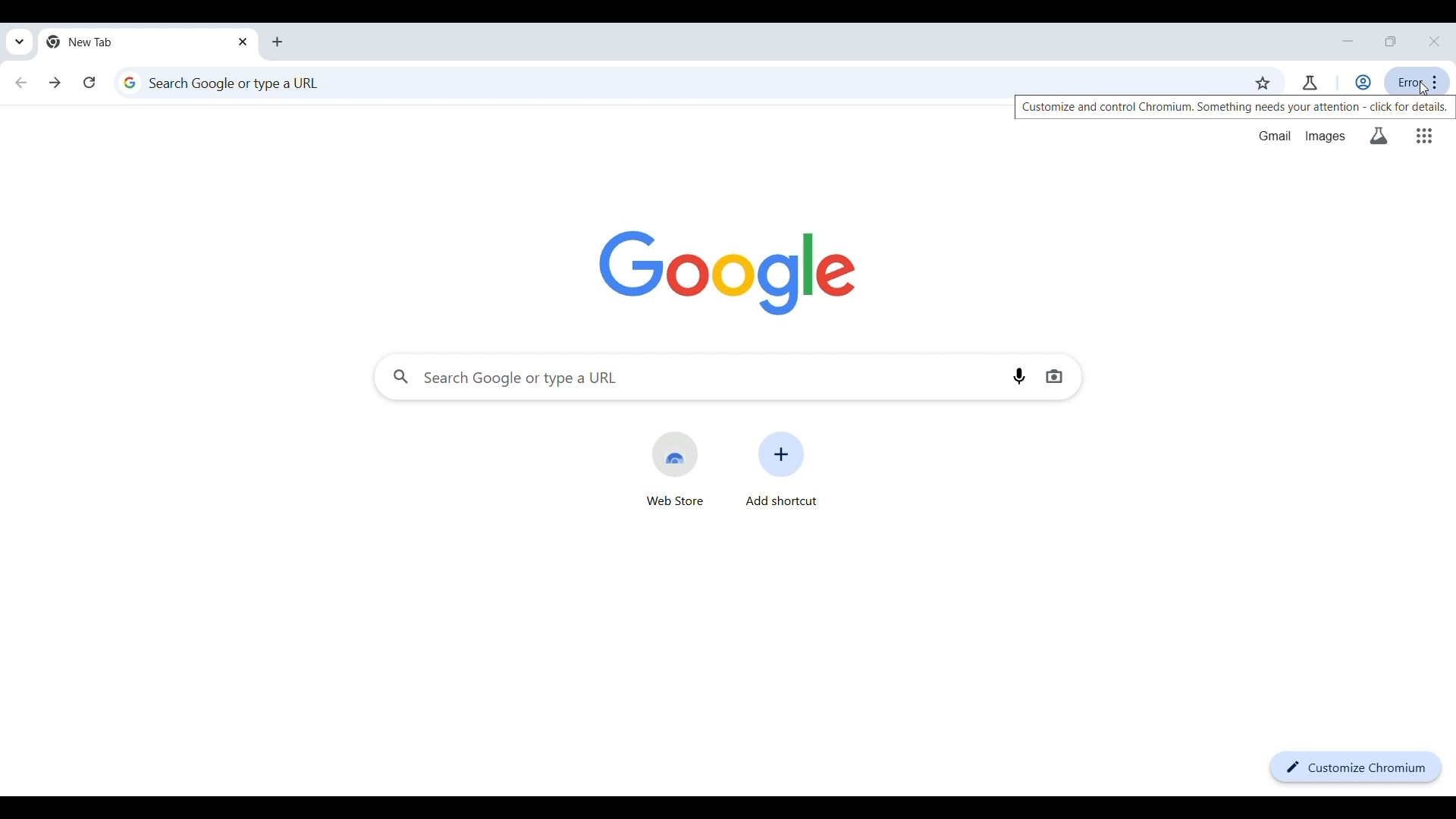  I want to click on Add shortcut to another website, so click(780, 468).